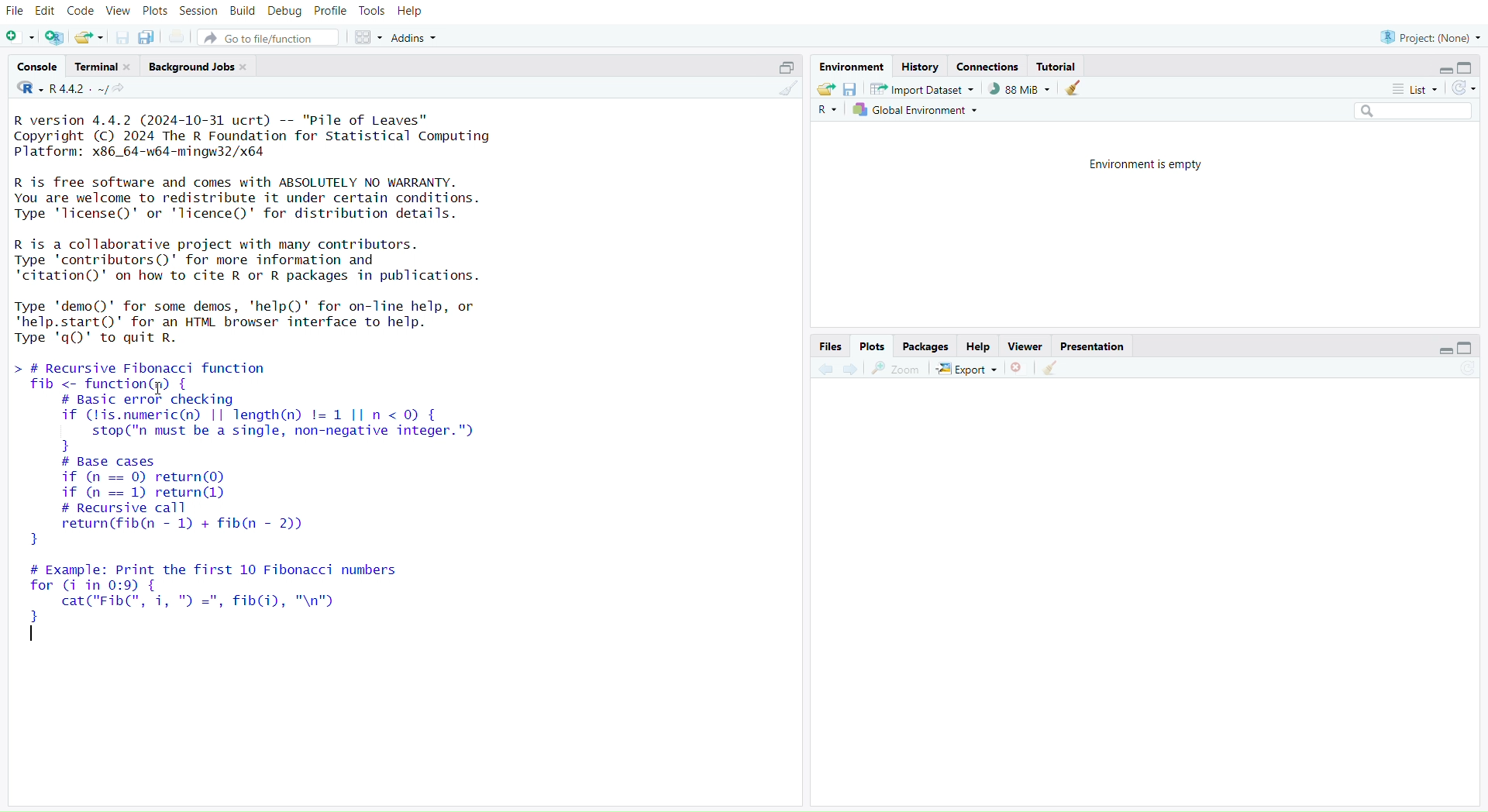  What do you see at coordinates (849, 67) in the screenshot?
I see `environment` at bounding box center [849, 67].